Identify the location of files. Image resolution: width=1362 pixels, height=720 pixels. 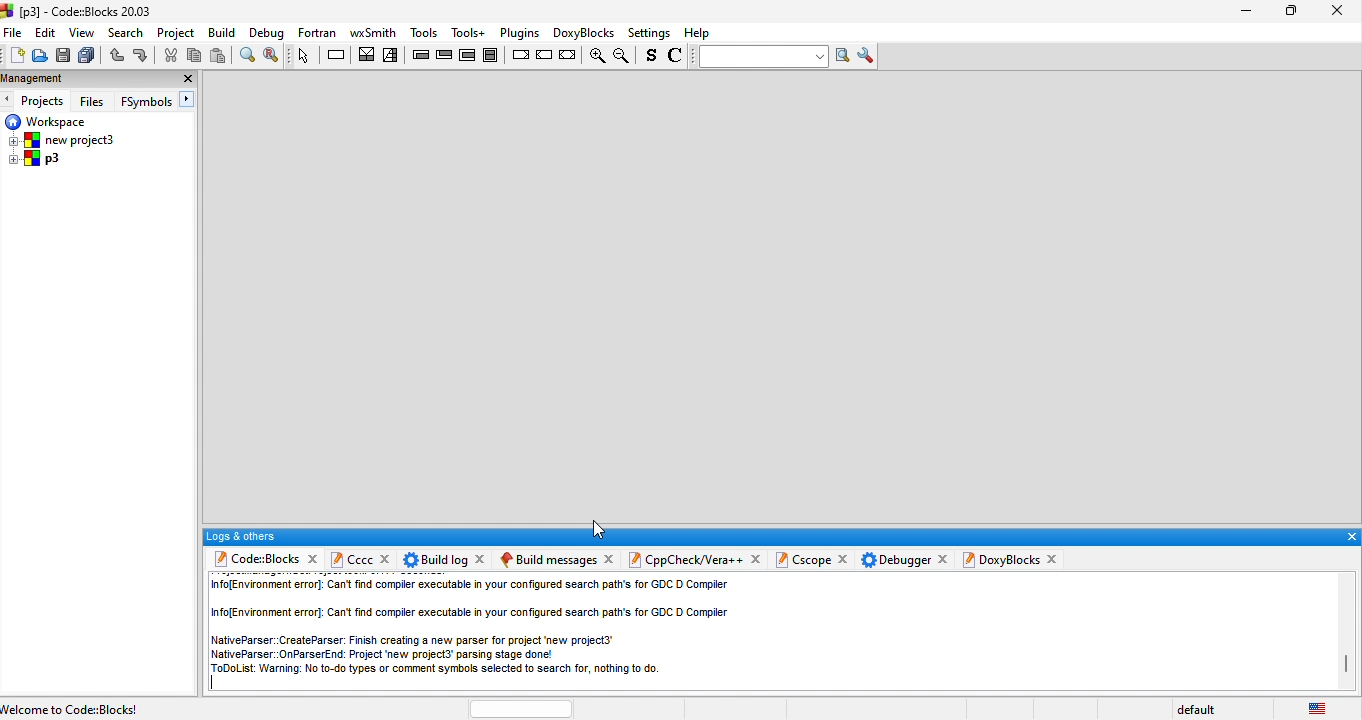
(94, 100).